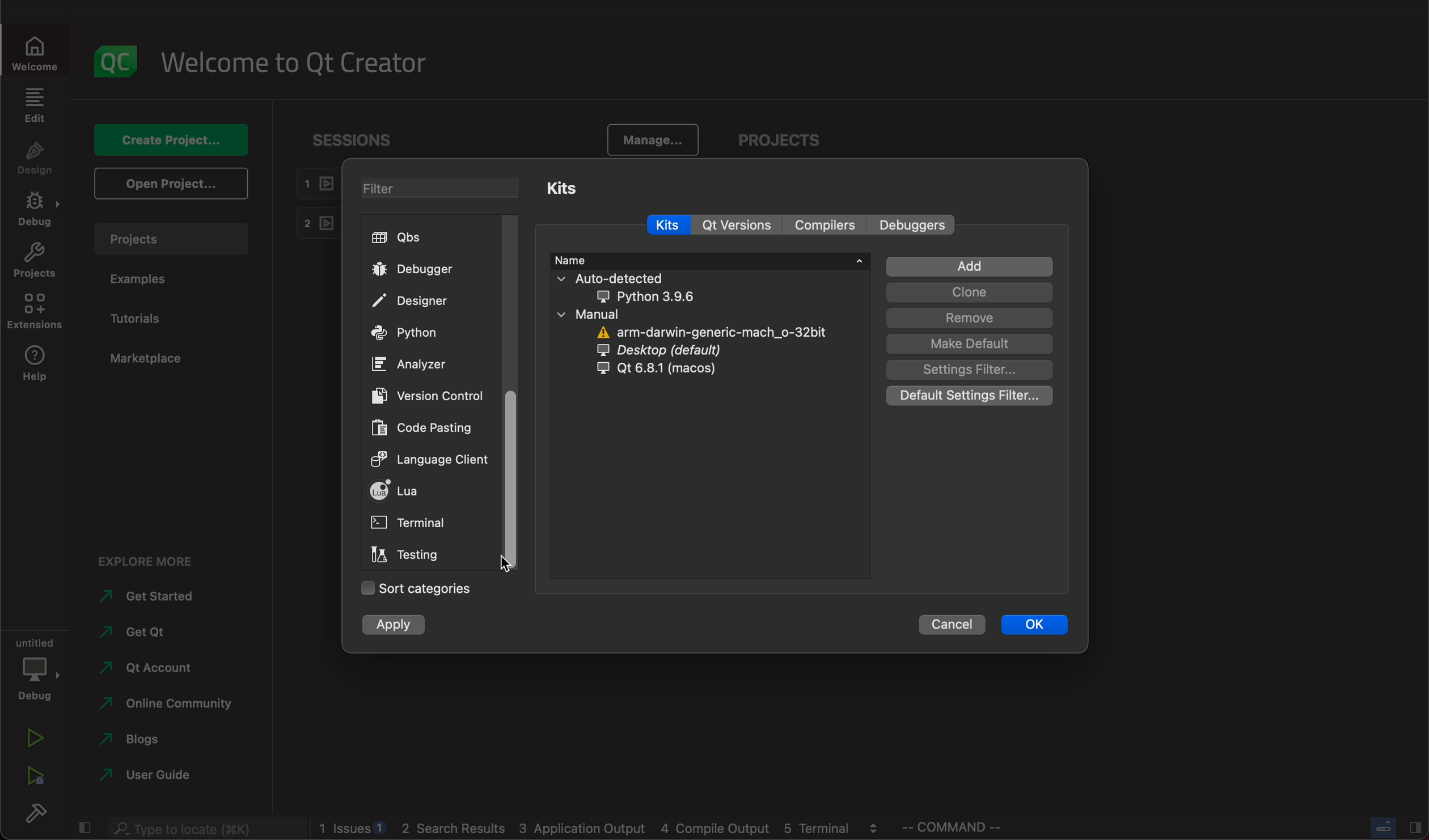  What do you see at coordinates (912, 224) in the screenshot?
I see `` at bounding box center [912, 224].